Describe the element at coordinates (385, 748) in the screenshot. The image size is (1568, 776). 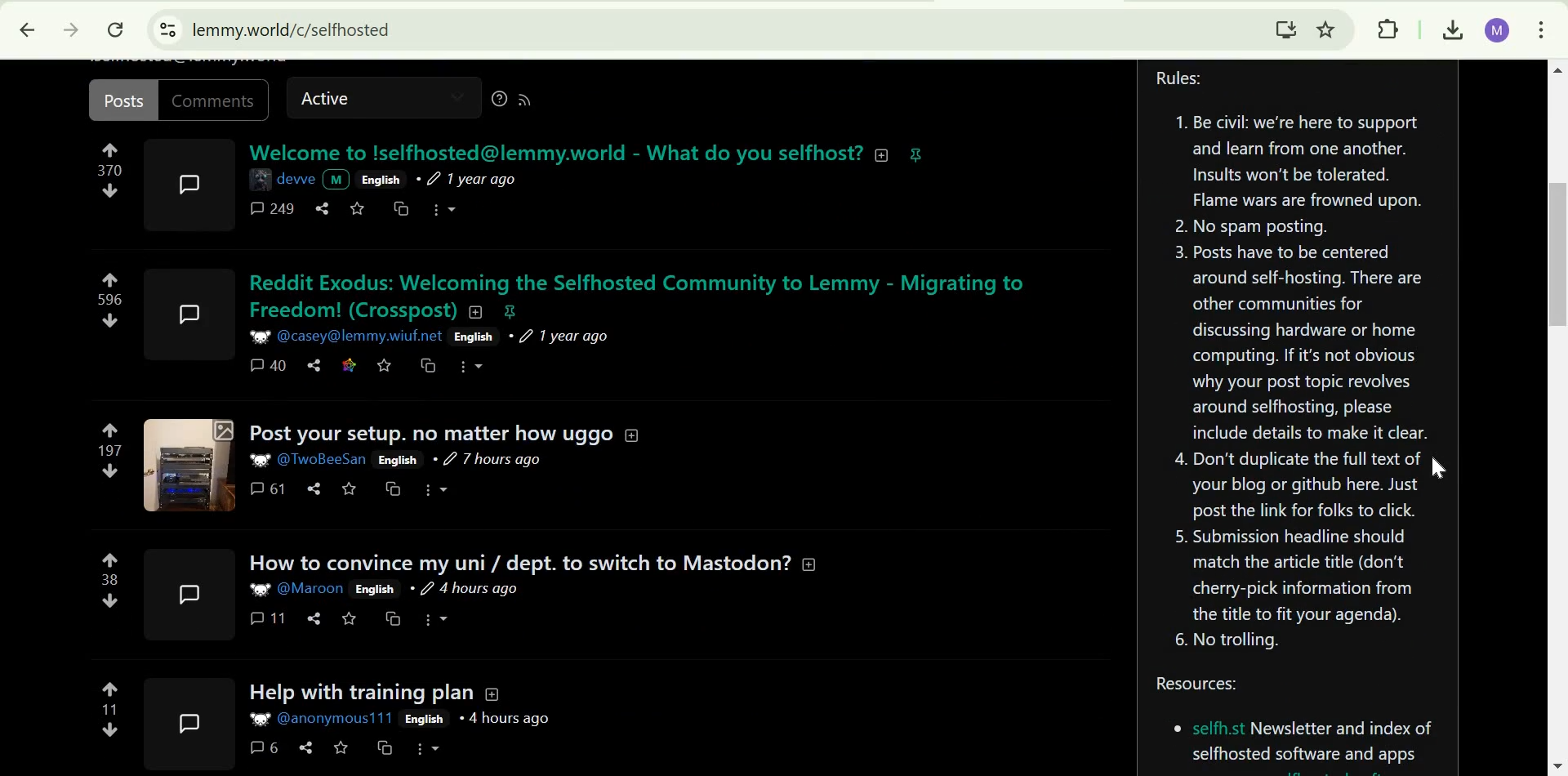
I see `cross-post` at that location.